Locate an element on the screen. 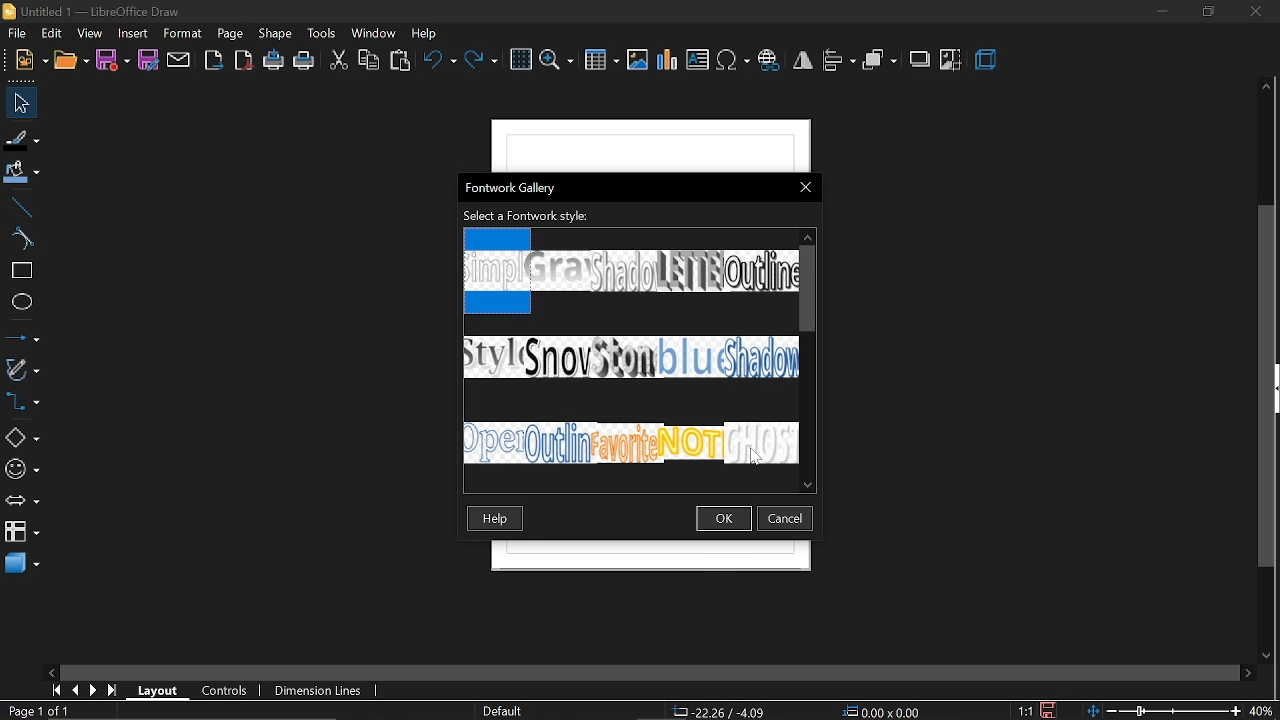 The height and width of the screenshot is (720, 1280). 0.00x0.00 is located at coordinates (886, 712).